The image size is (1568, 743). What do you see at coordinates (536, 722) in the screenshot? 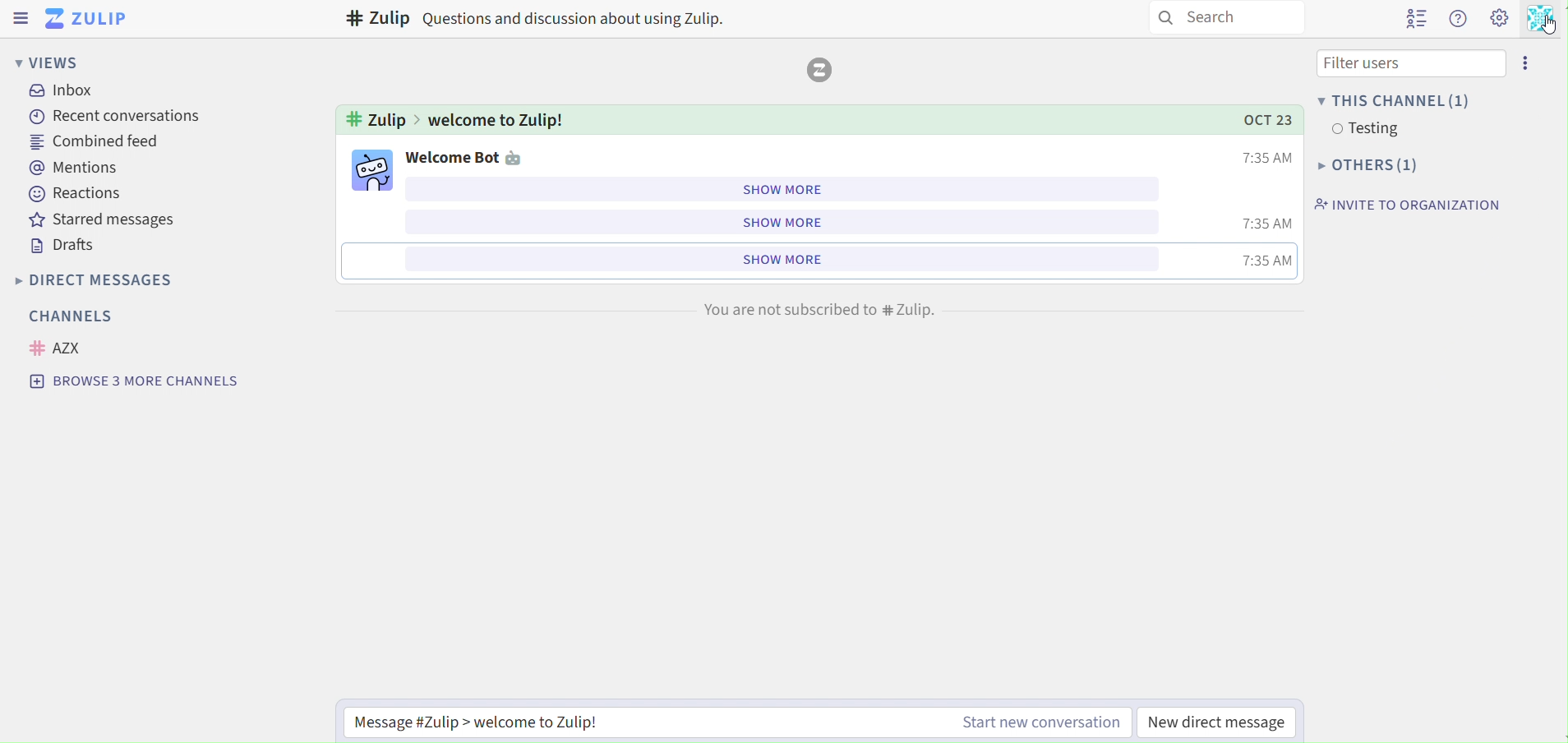
I see `Message #Zulip>welcome to Zulip` at bounding box center [536, 722].